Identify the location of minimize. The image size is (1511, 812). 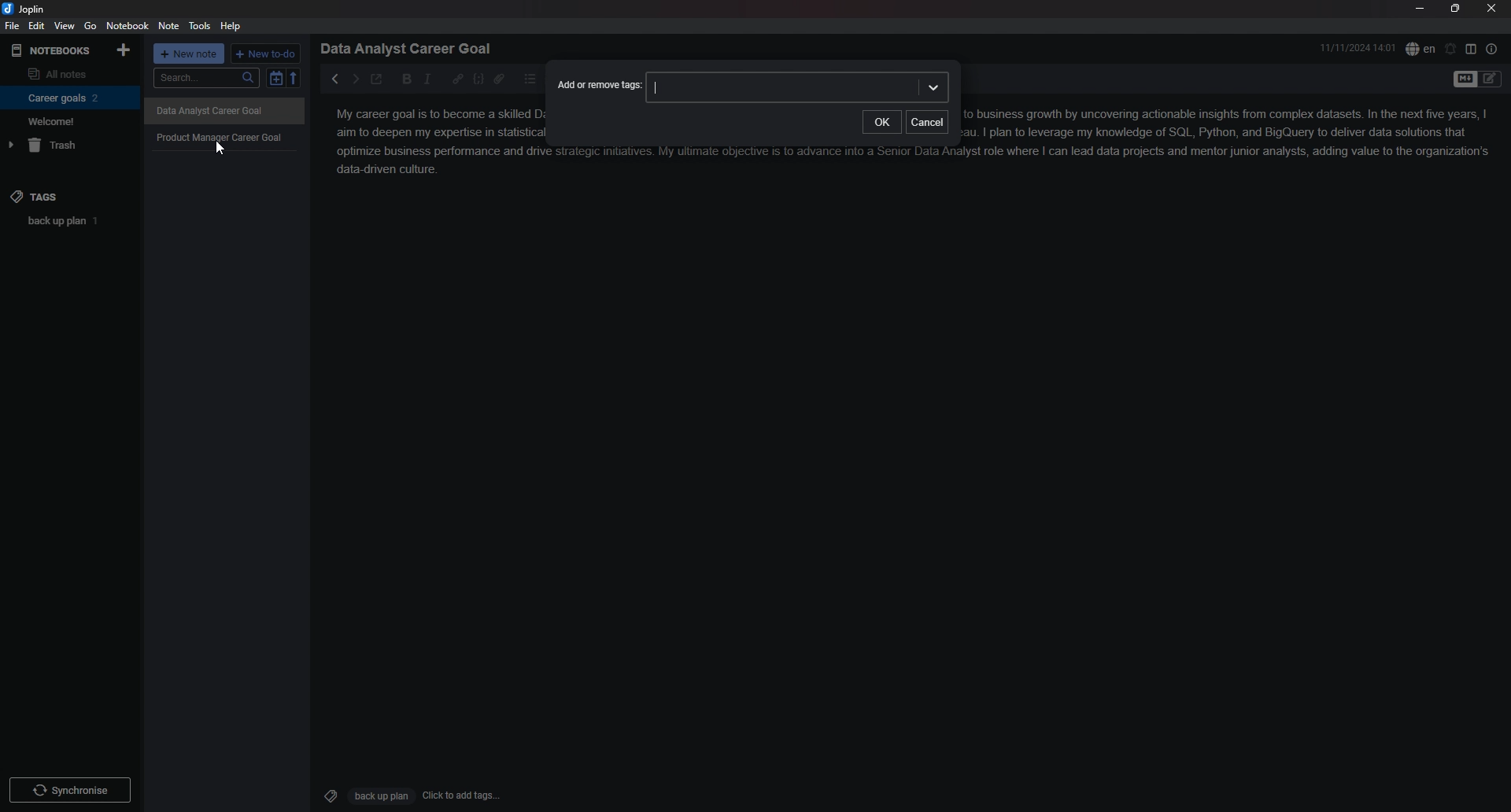
(1419, 8).